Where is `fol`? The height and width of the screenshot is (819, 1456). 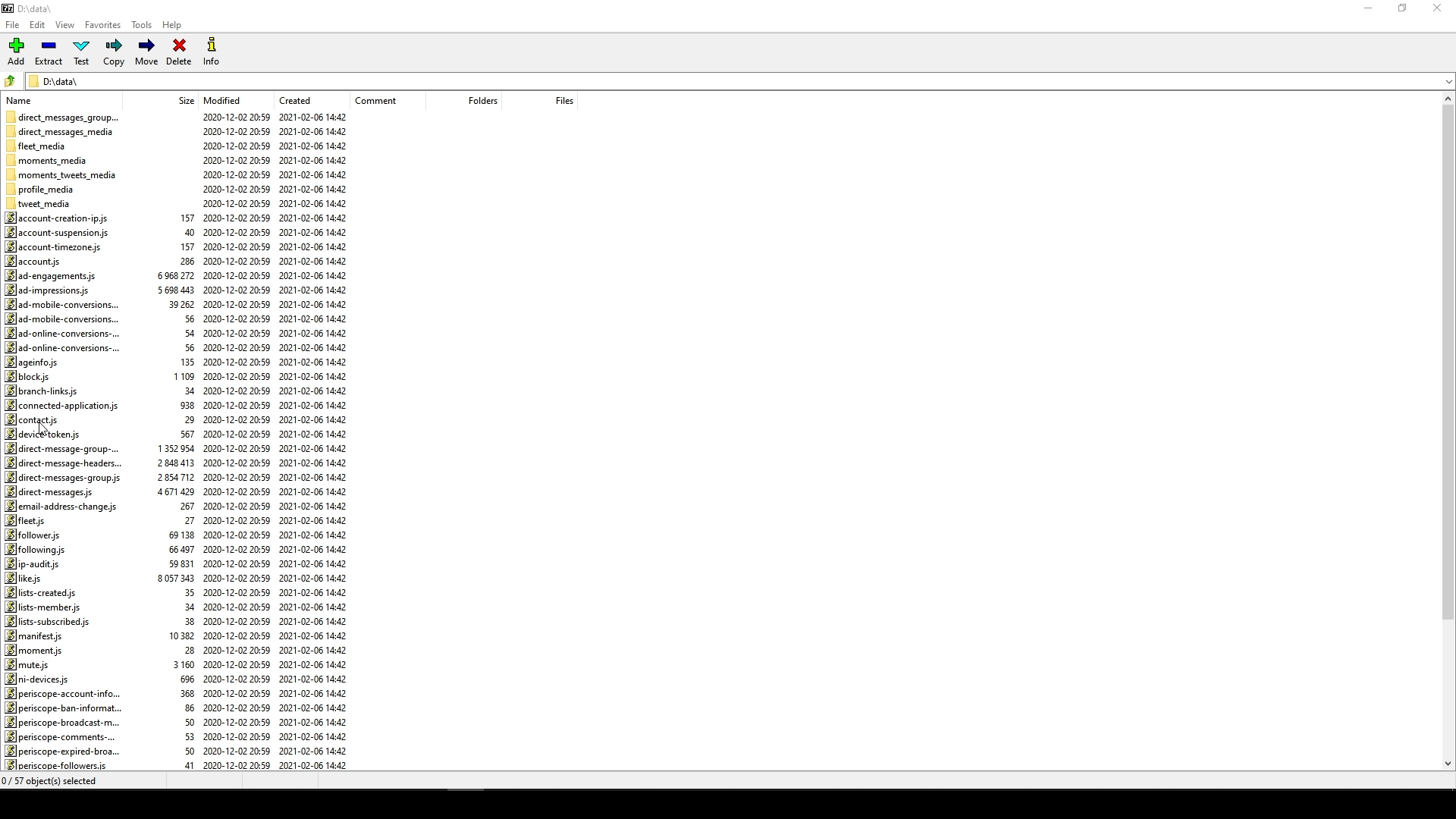
fol is located at coordinates (36, 549).